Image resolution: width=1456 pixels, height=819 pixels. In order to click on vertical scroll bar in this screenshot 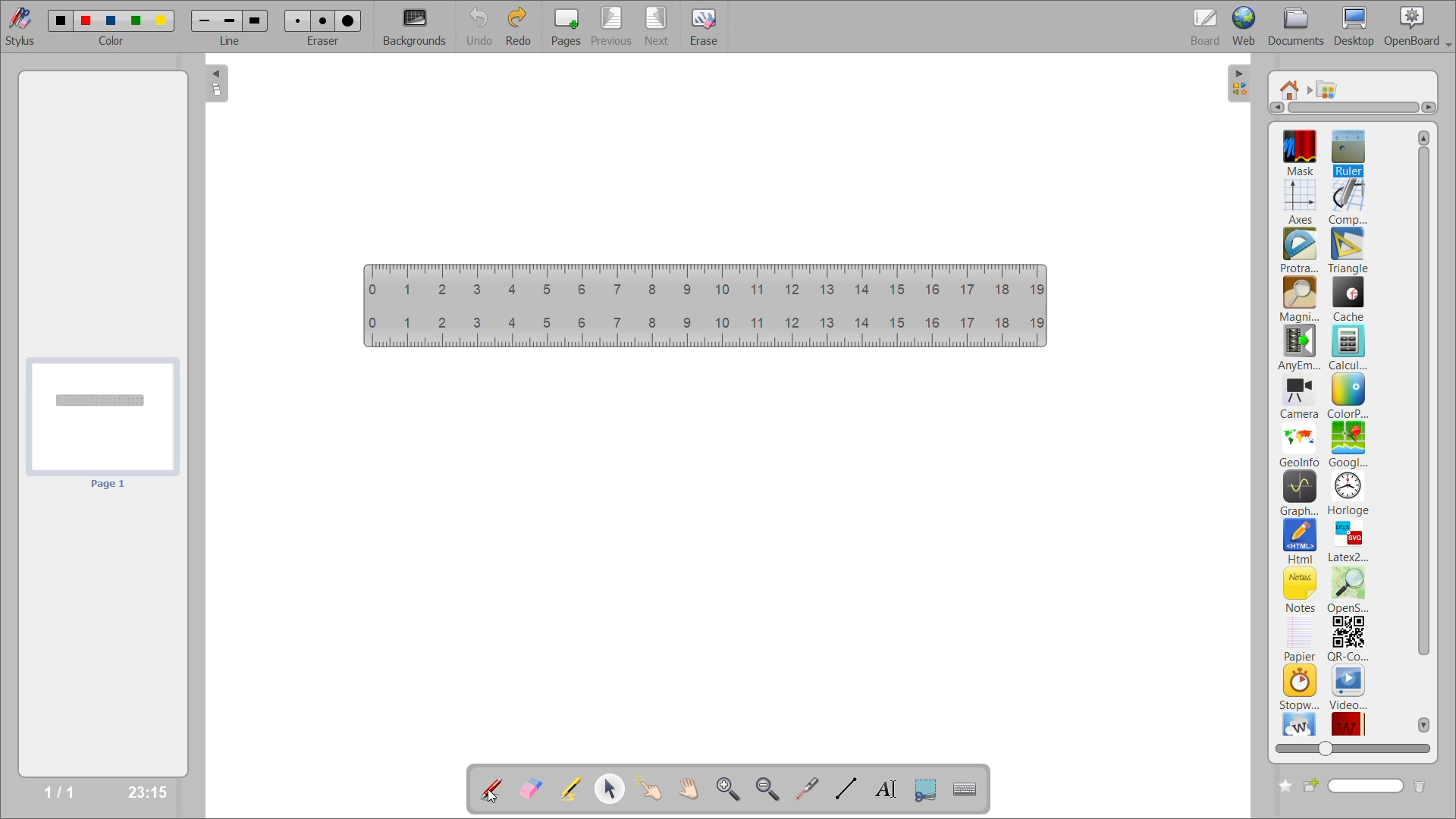, I will do `click(1424, 430)`.